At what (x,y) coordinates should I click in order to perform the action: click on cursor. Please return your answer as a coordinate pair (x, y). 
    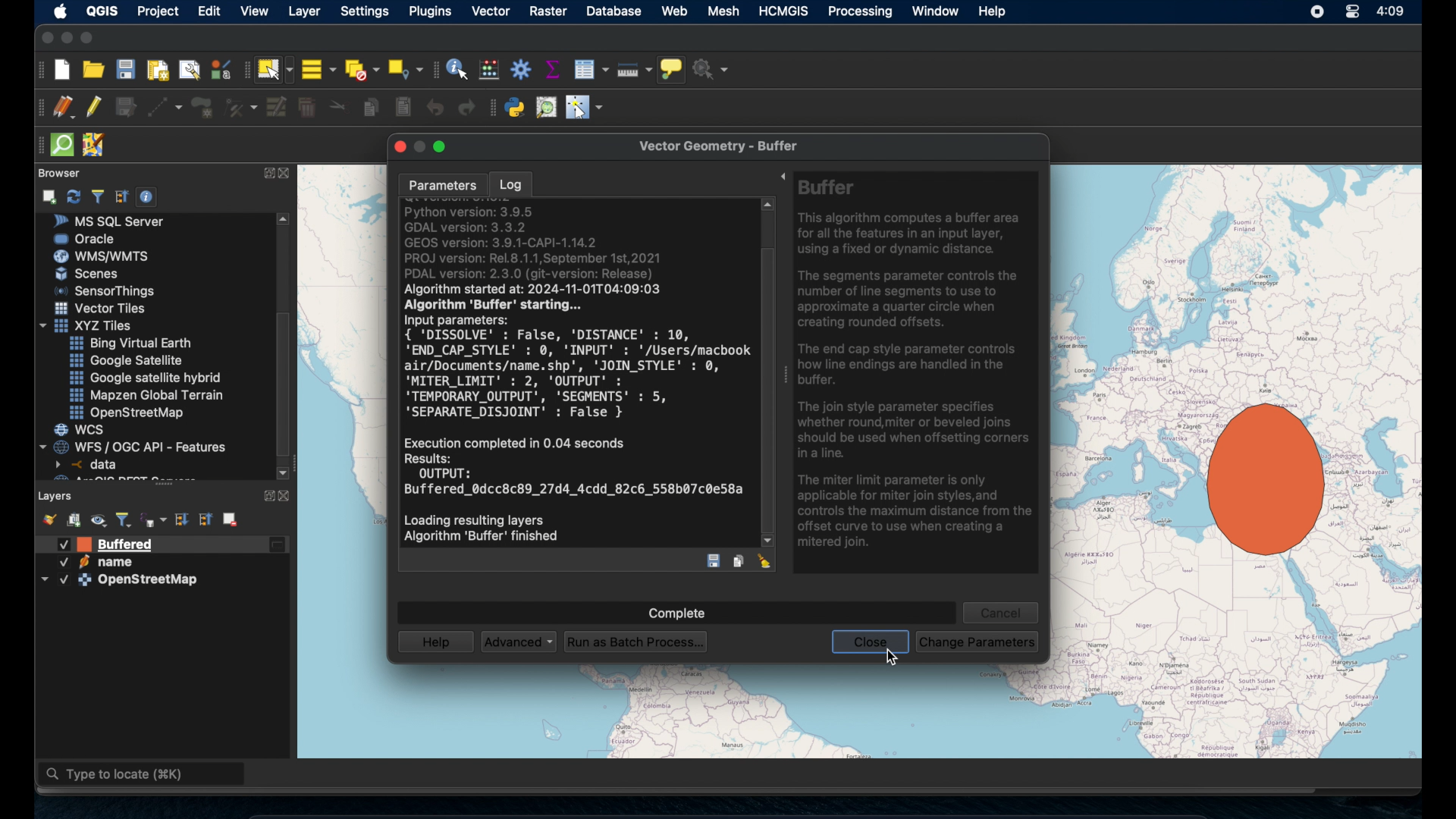
    Looking at the image, I should click on (890, 658).